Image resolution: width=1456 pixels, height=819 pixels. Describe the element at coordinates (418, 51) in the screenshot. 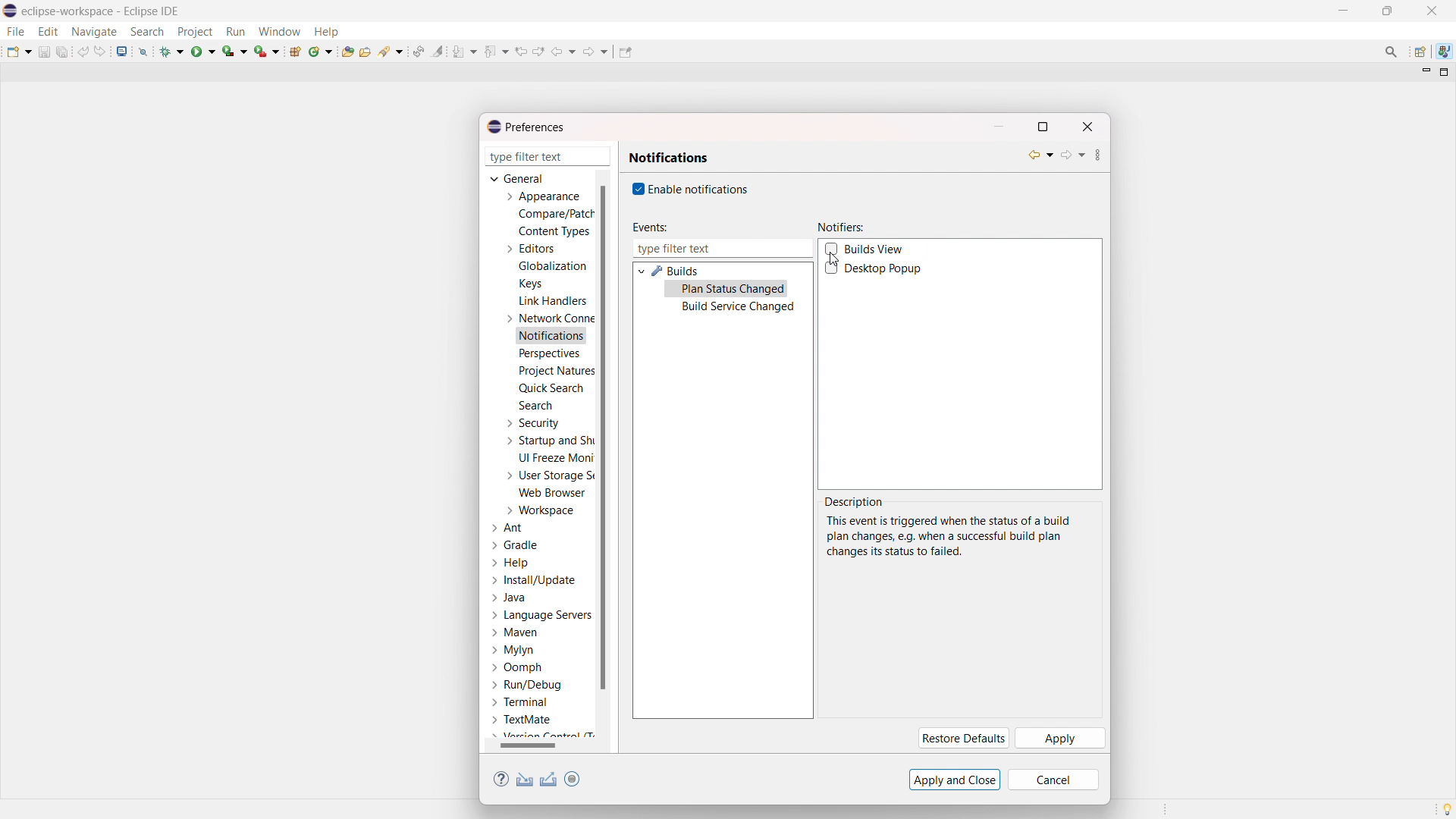

I see `toggle ant editor auto reconcile` at that location.